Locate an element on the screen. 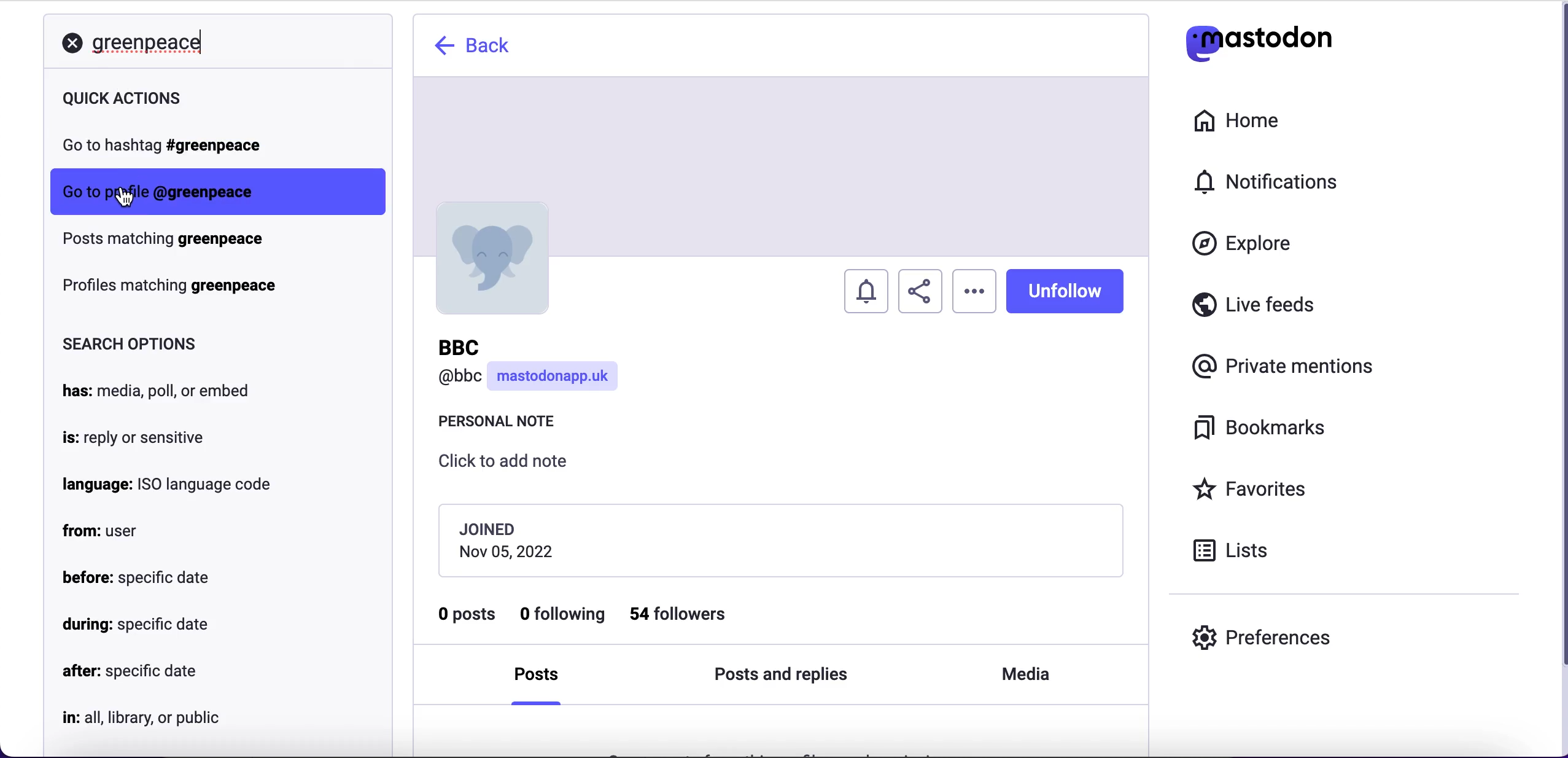 The height and width of the screenshot is (758, 1568). profile picture is located at coordinates (490, 258).